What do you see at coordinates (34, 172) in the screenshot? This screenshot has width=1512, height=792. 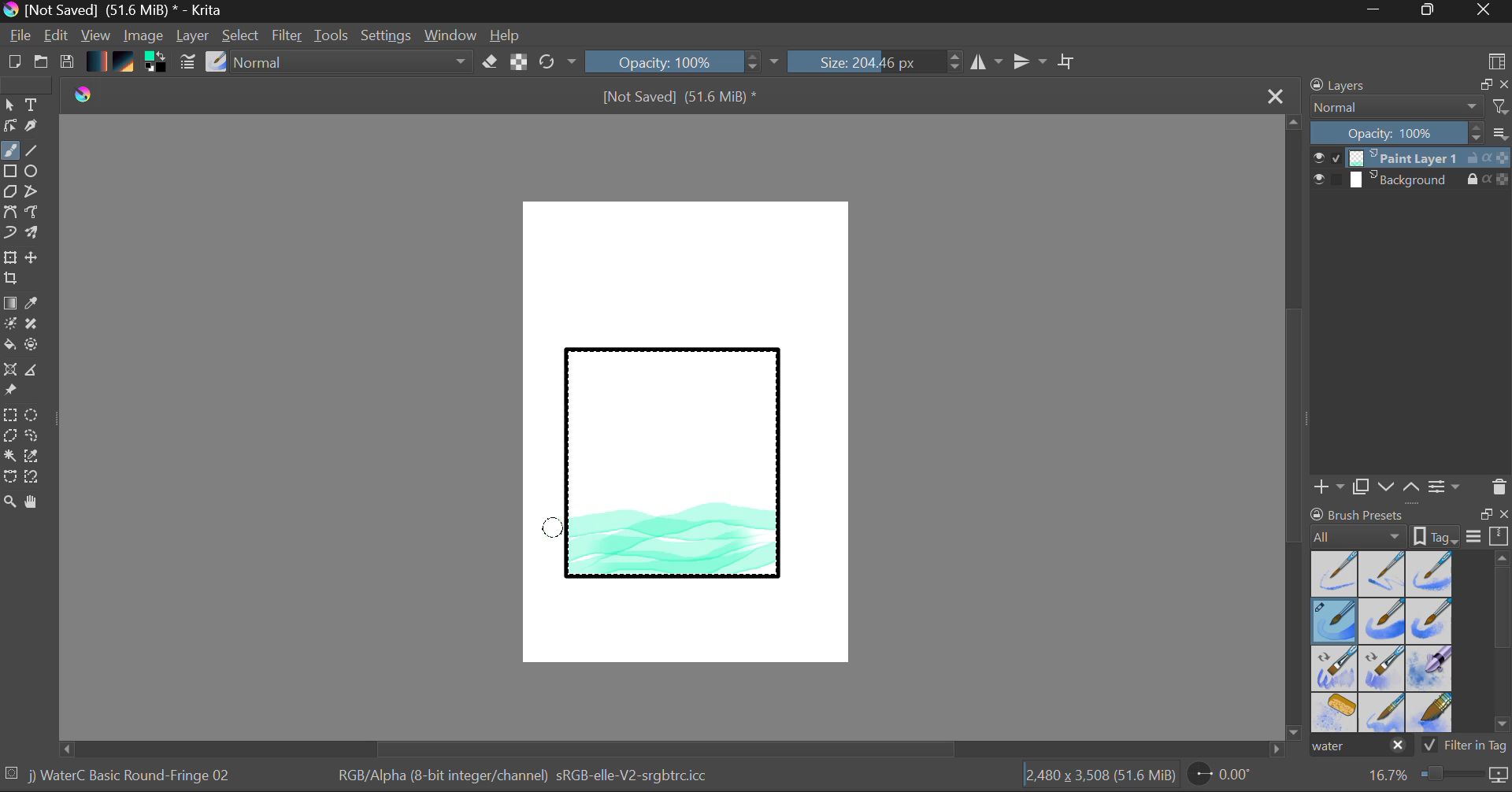 I see `Elipses` at bounding box center [34, 172].